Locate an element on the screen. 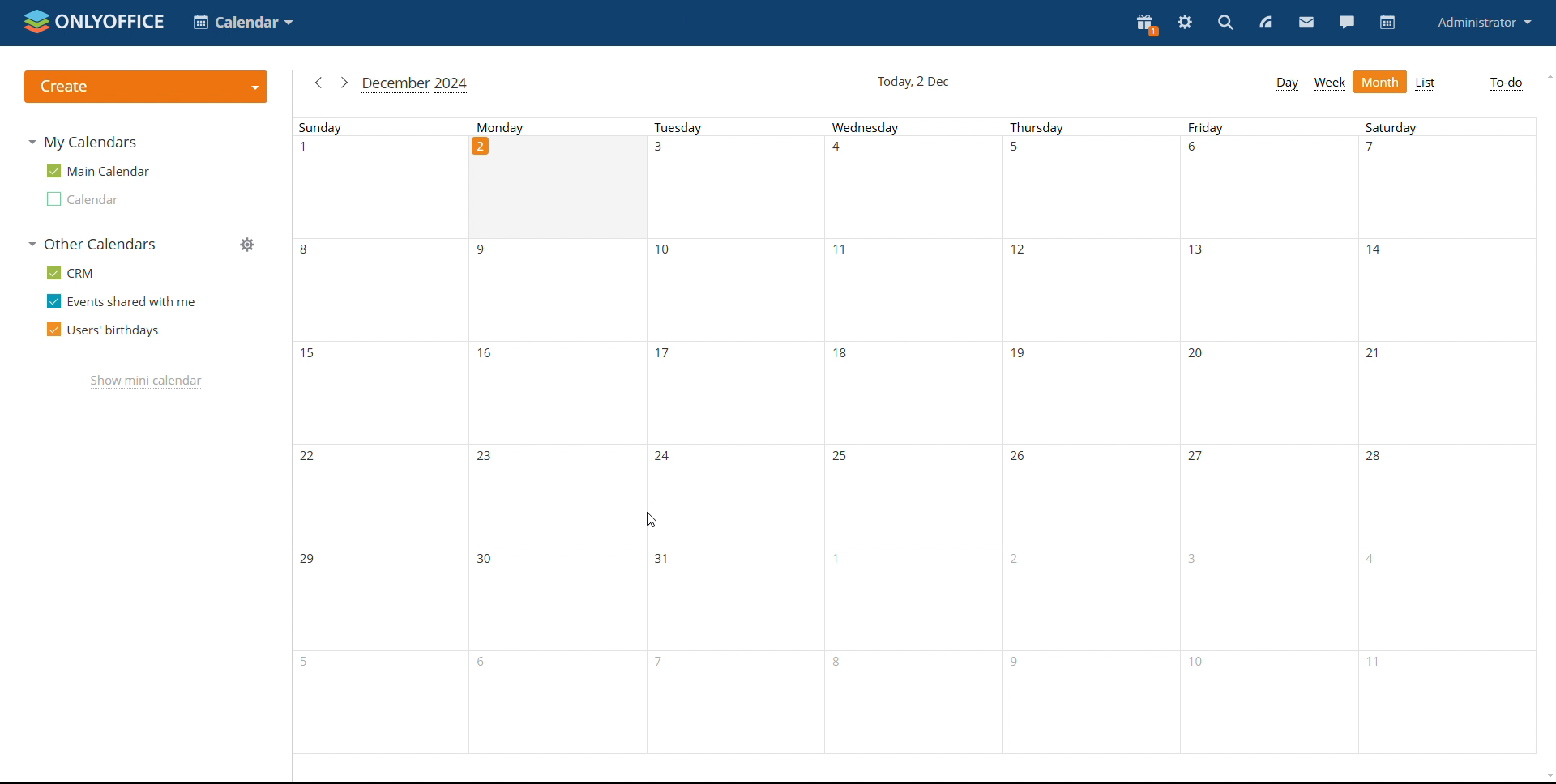 This screenshot has height=784, width=1556. events shared with me is located at coordinates (121, 300).